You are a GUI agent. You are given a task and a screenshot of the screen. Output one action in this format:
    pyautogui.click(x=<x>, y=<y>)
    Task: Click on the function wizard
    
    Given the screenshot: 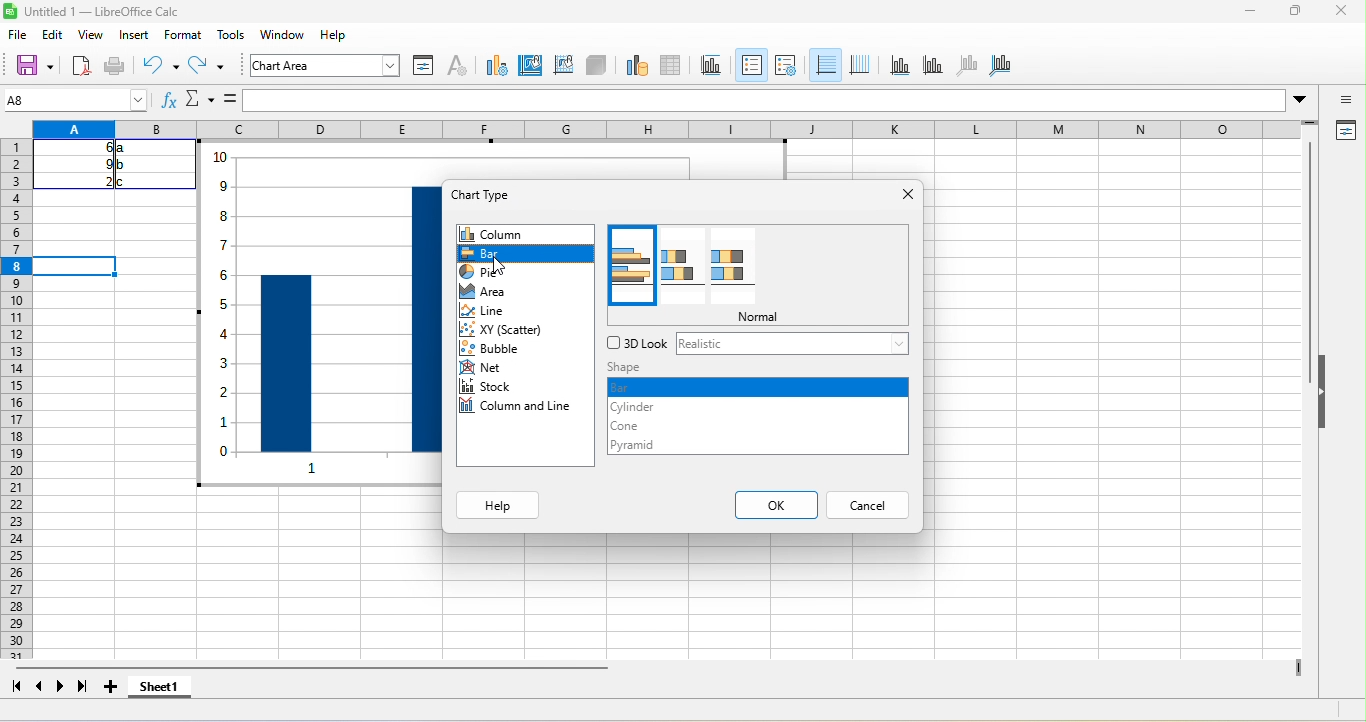 What is the action you would take?
    pyautogui.click(x=170, y=104)
    